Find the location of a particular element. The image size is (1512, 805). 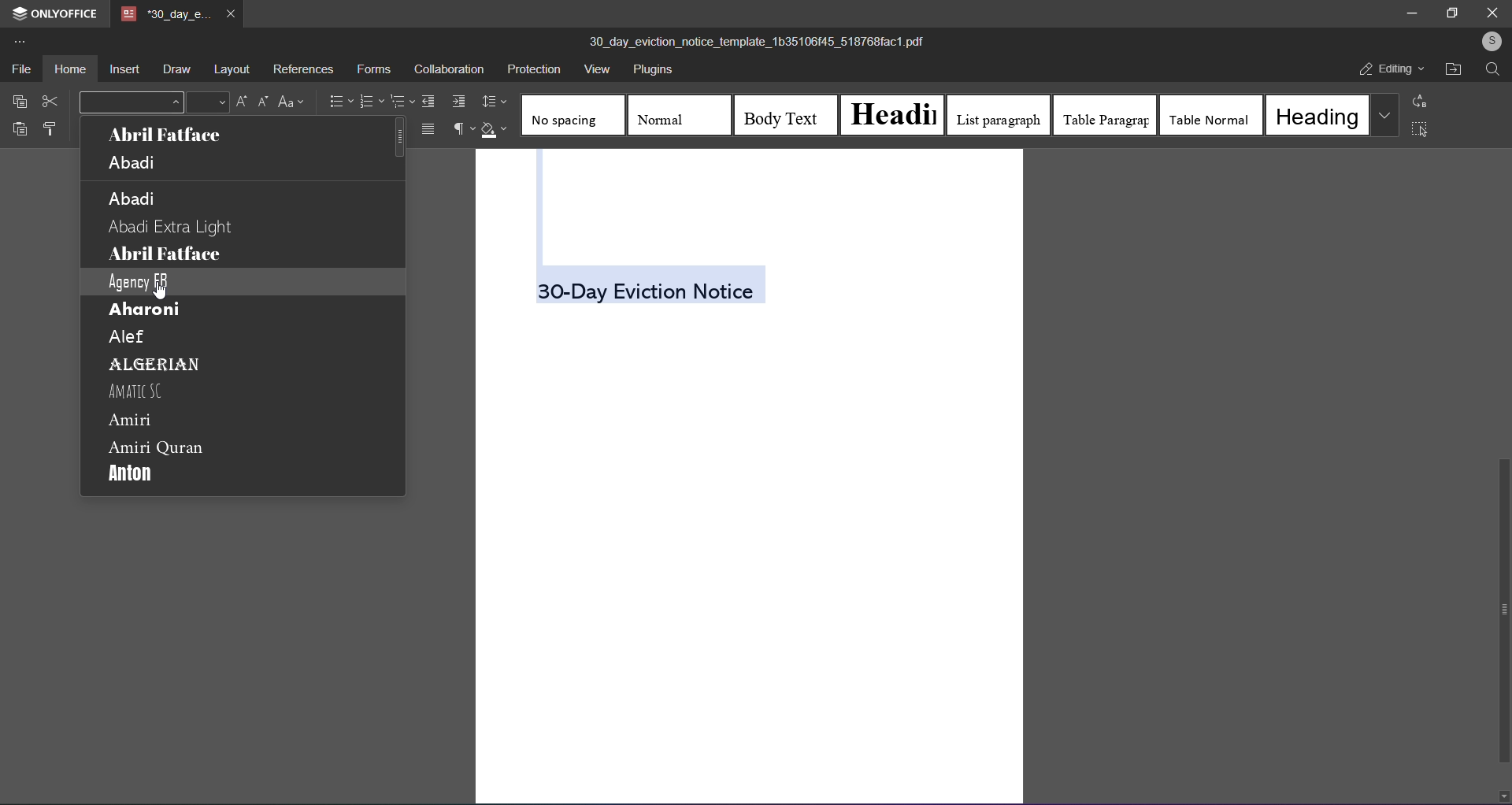

abadi is located at coordinates (135, 199).